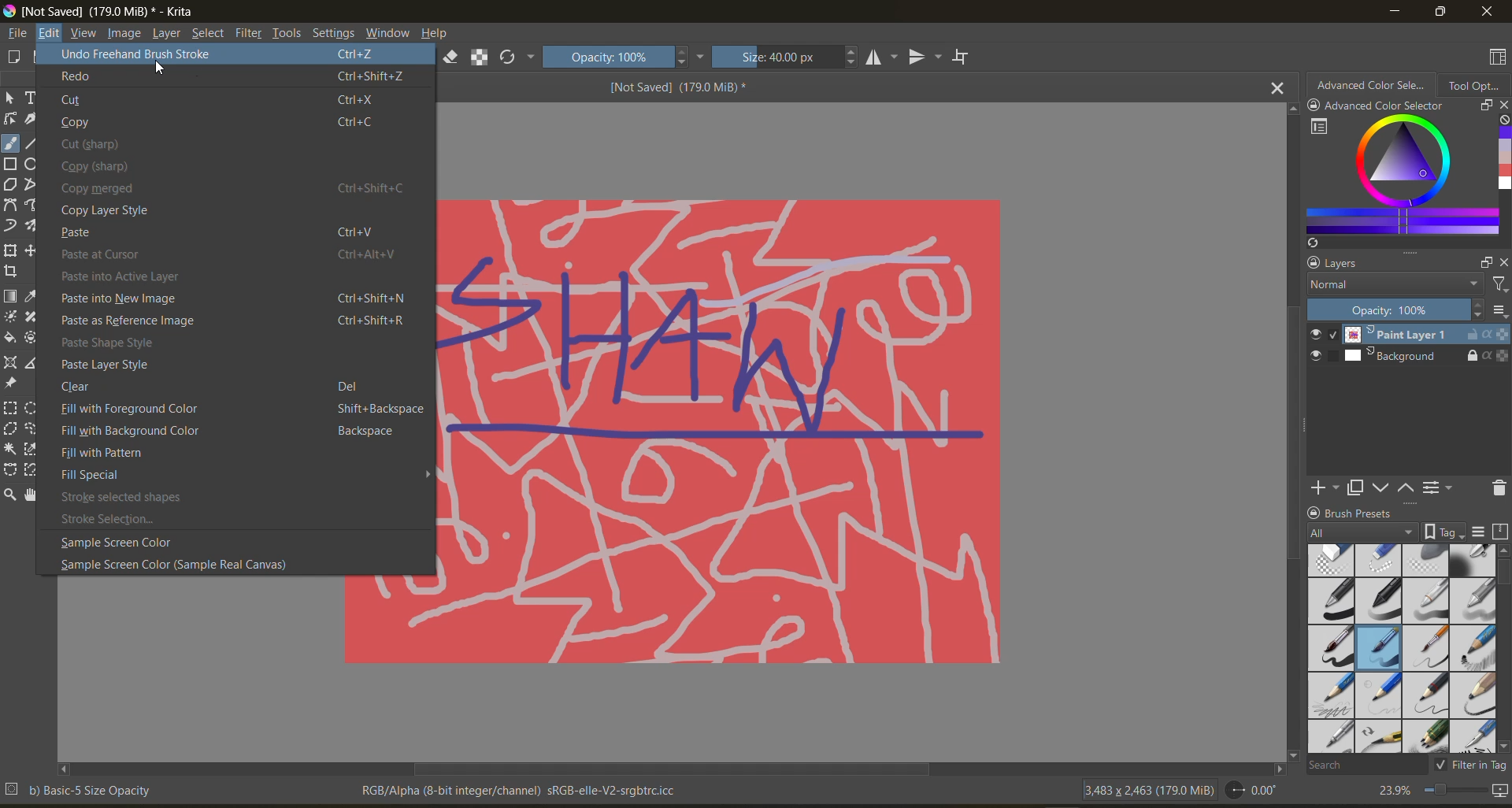  I want to click on select, so click(208, 33).